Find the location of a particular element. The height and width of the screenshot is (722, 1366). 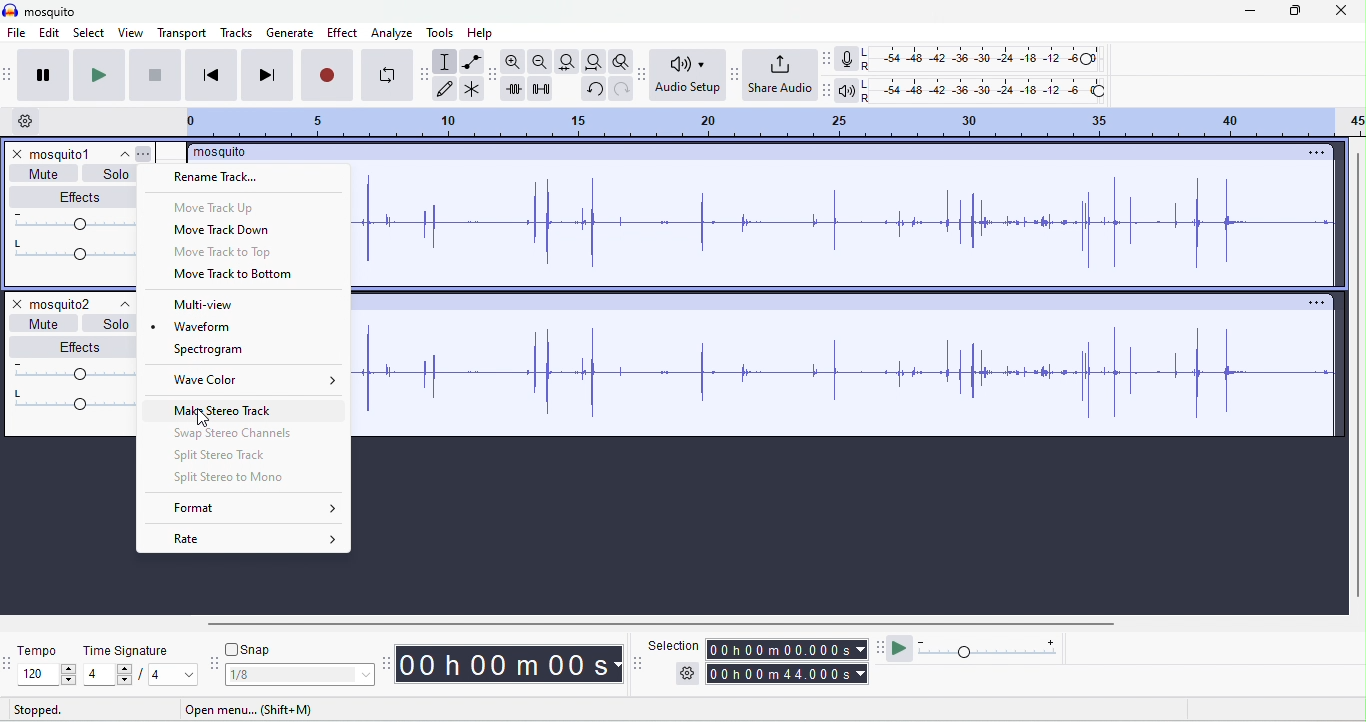

help is located at coordinates (480, 33).